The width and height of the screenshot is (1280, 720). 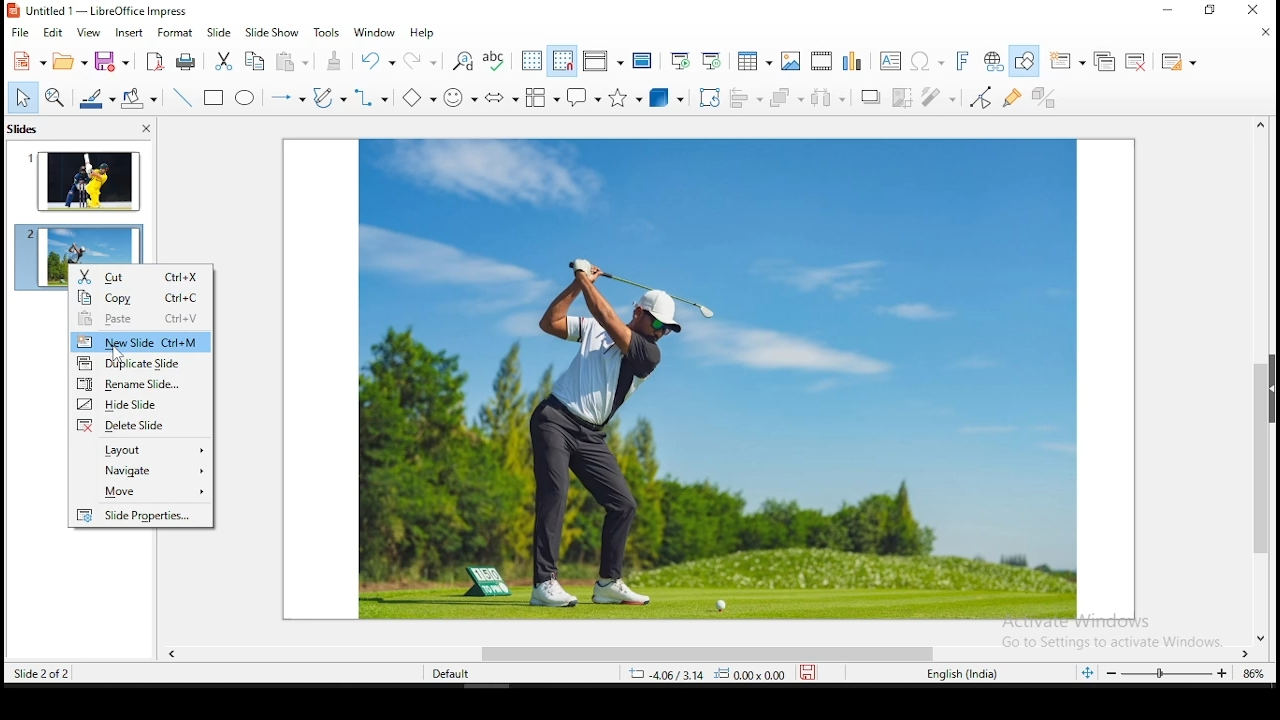 What do you see at coordinates (924, 60) in the screenshot?
I see `insert special characters` at bounding box center [924, 60].